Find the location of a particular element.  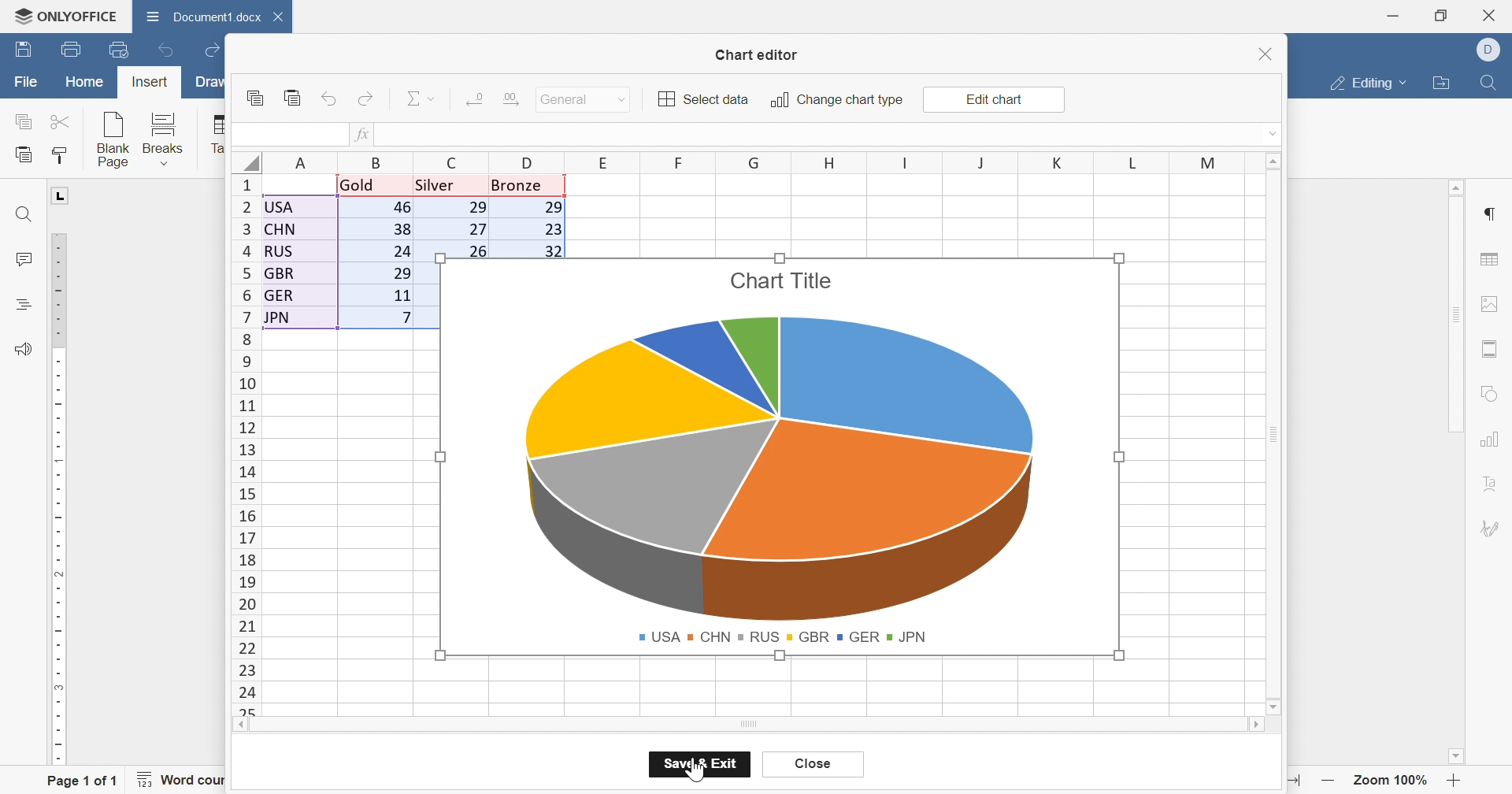

Spell Checking is located at coordinates (21, 305).